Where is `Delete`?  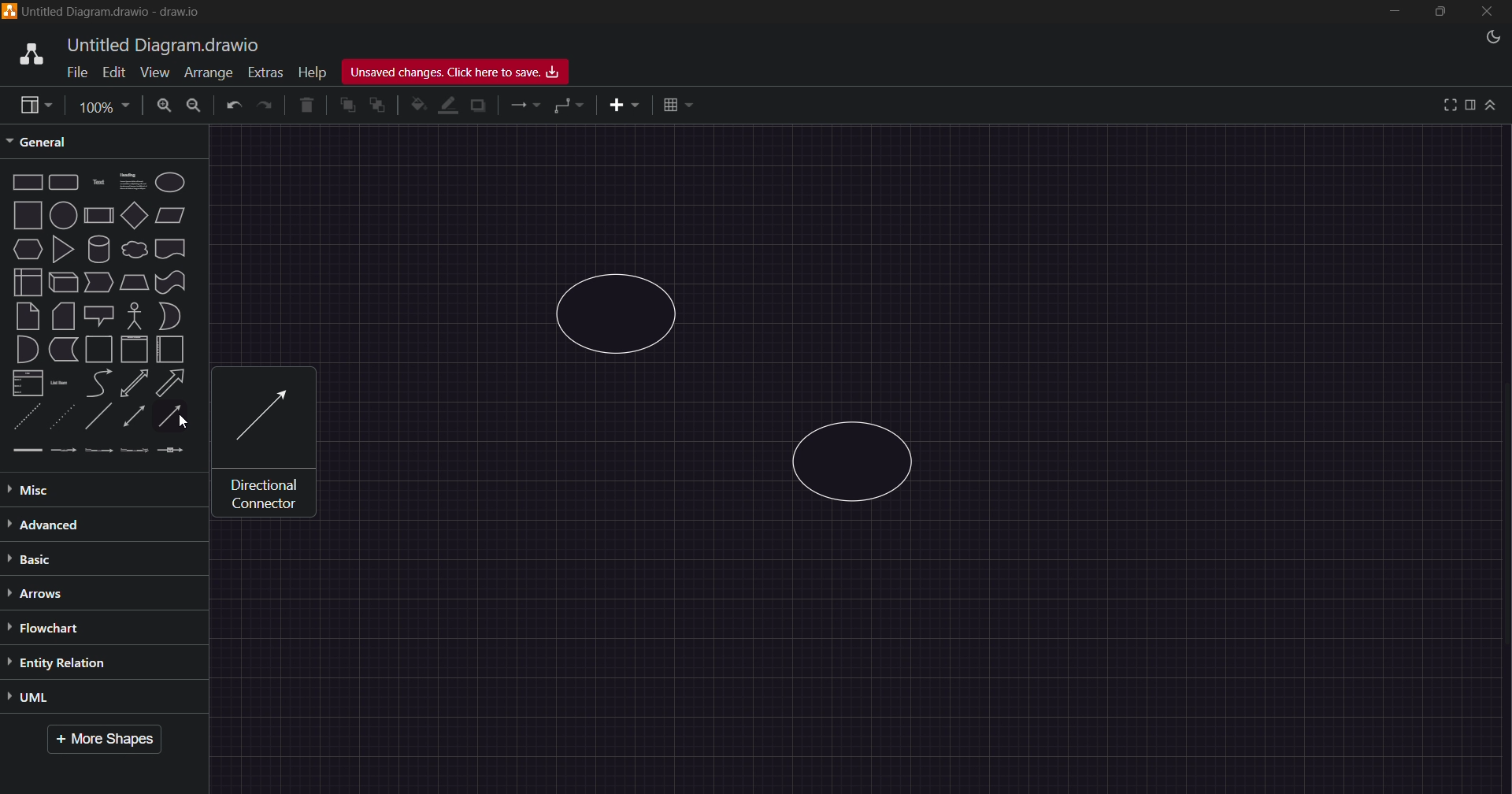
Delete is located at coordinates (303, 106).